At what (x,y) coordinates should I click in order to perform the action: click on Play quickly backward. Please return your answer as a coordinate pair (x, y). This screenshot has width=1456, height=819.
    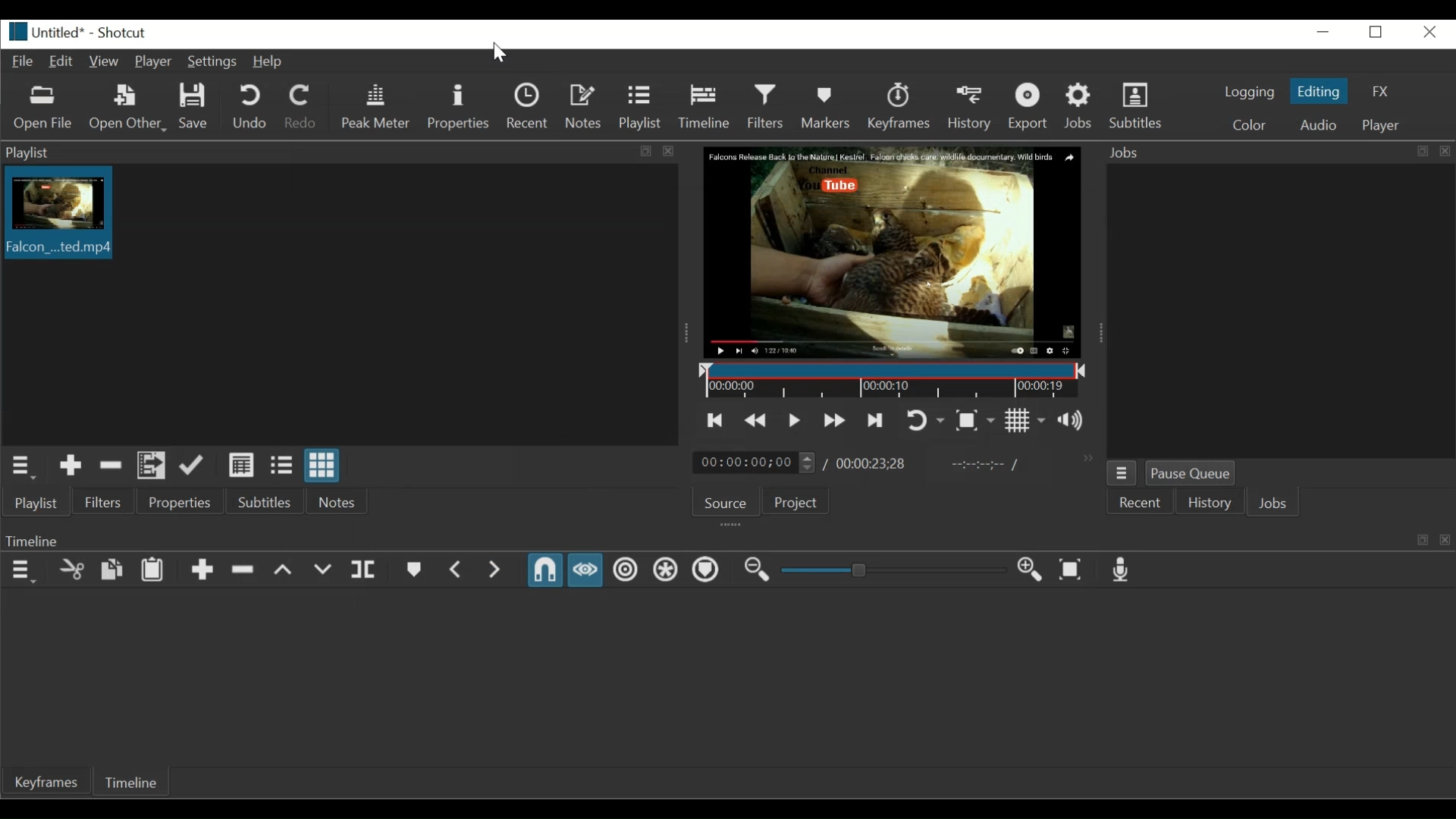
    Looking at the image, I should click on (757, 419).